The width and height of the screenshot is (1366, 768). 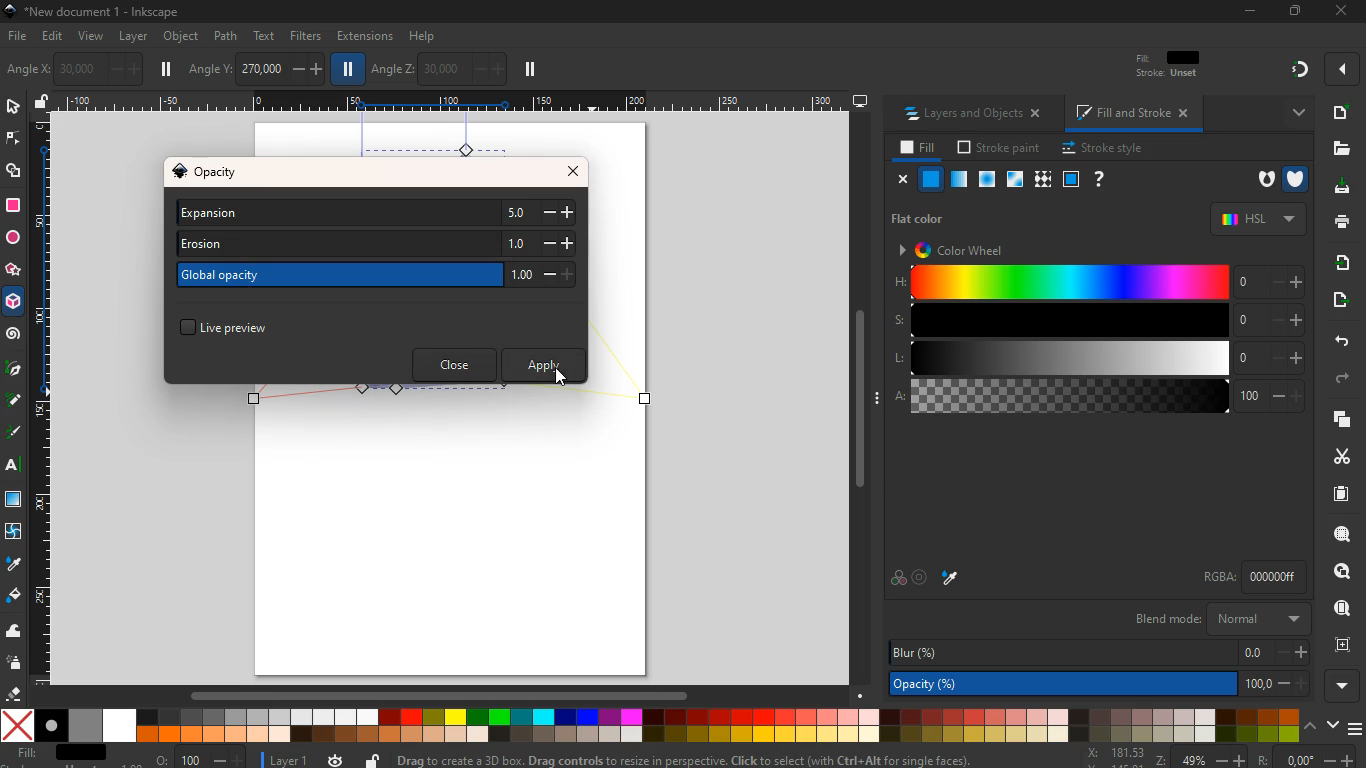 I want to click on drop, so click(x=952, y=578).